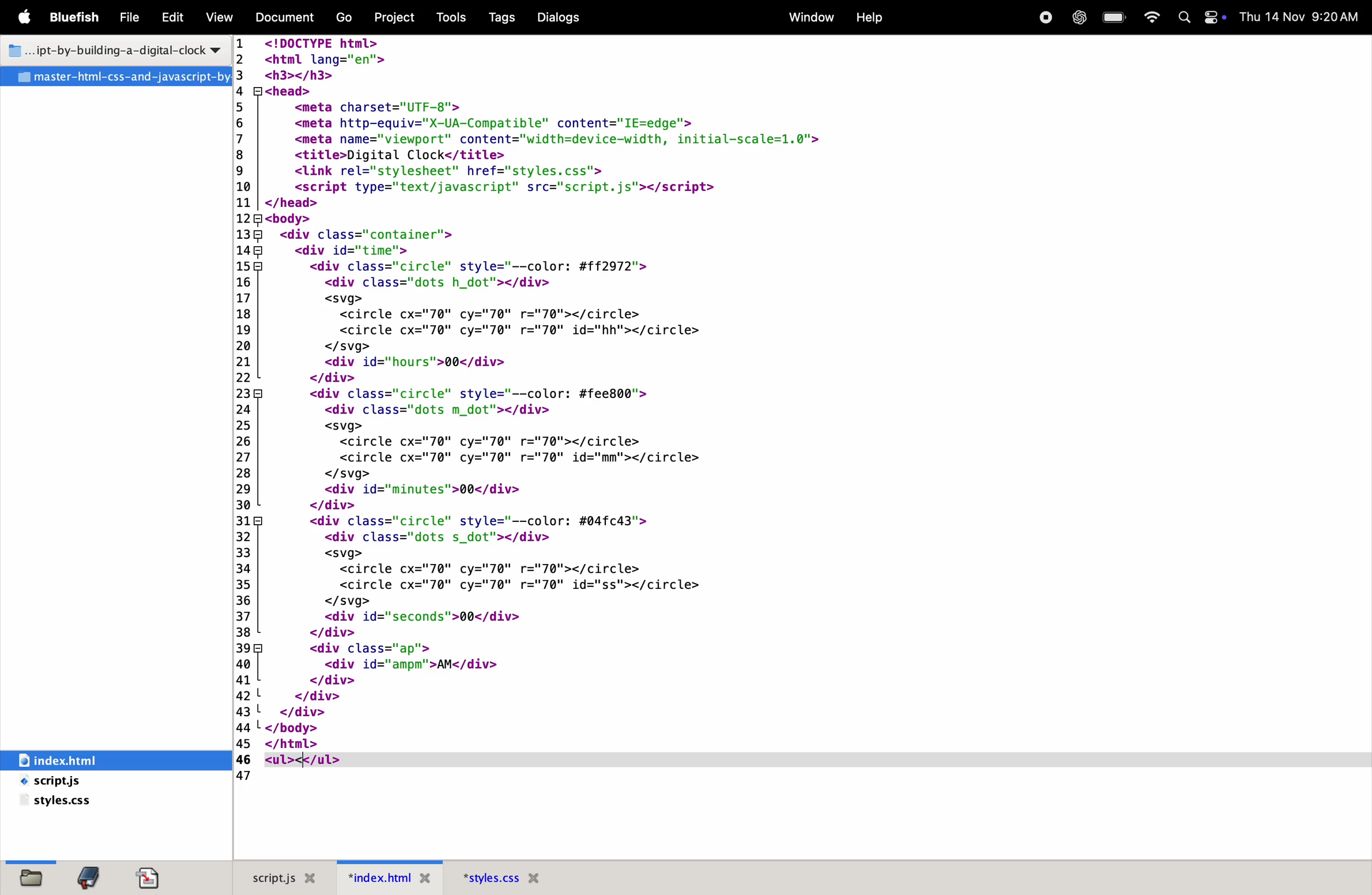 Image resolution: width=1372 pixels, height=895 pixels. I want to click on Style.css, so click(523, 877).